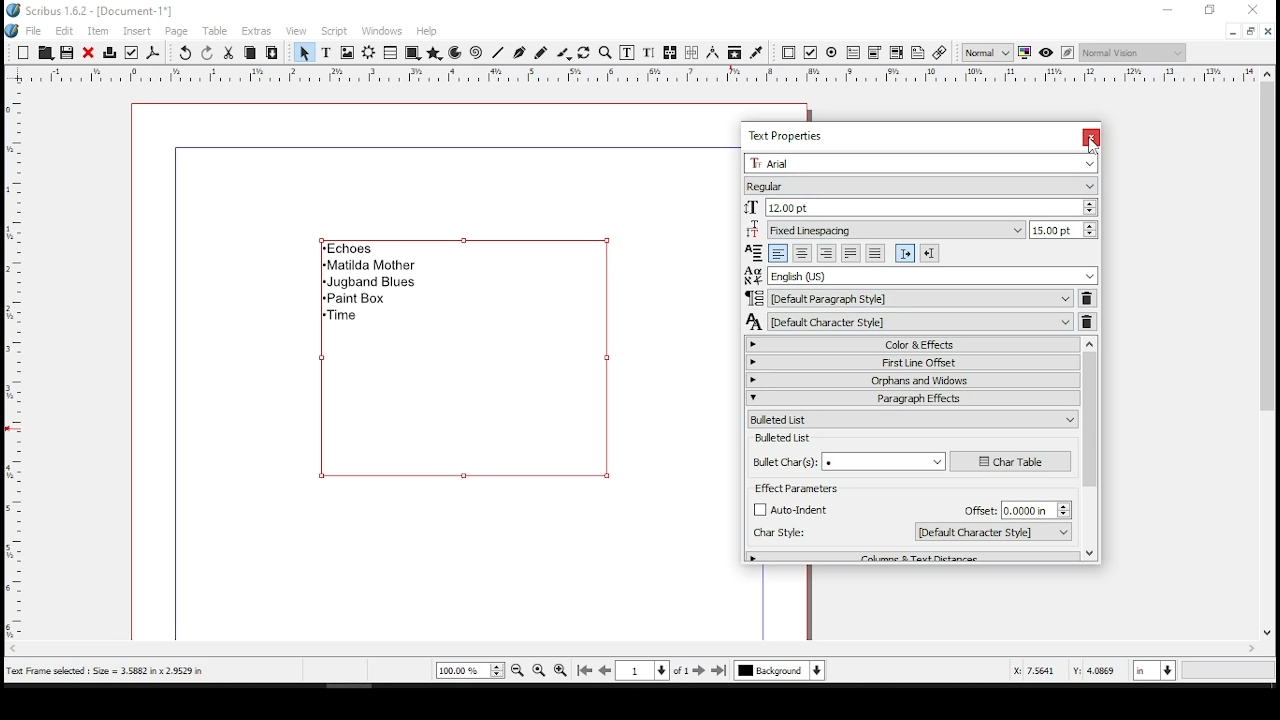 This screenshot has width=1280, height=720. Describe the element at coordinates (922, 207) in the screenshot. I see `font size` at that location.